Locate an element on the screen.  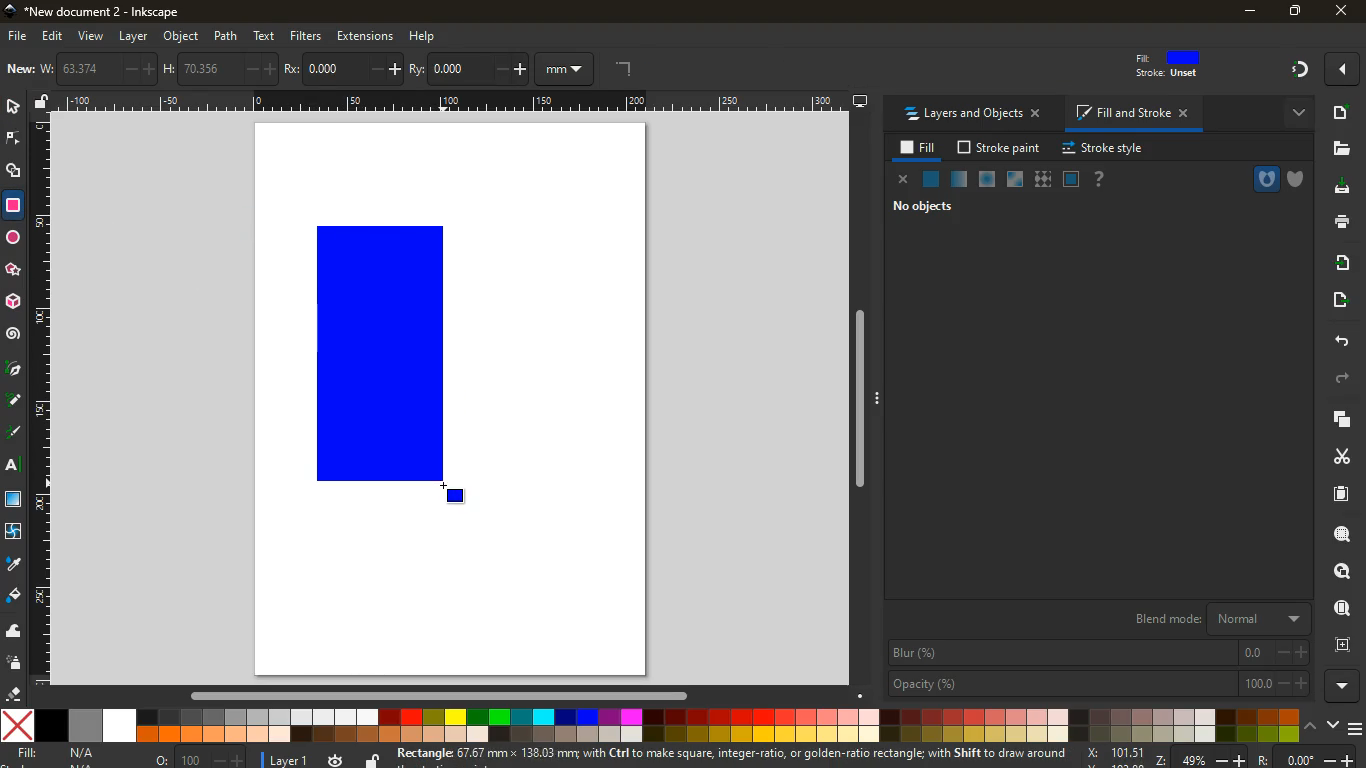
forward is located at coordinates (1340, 378).